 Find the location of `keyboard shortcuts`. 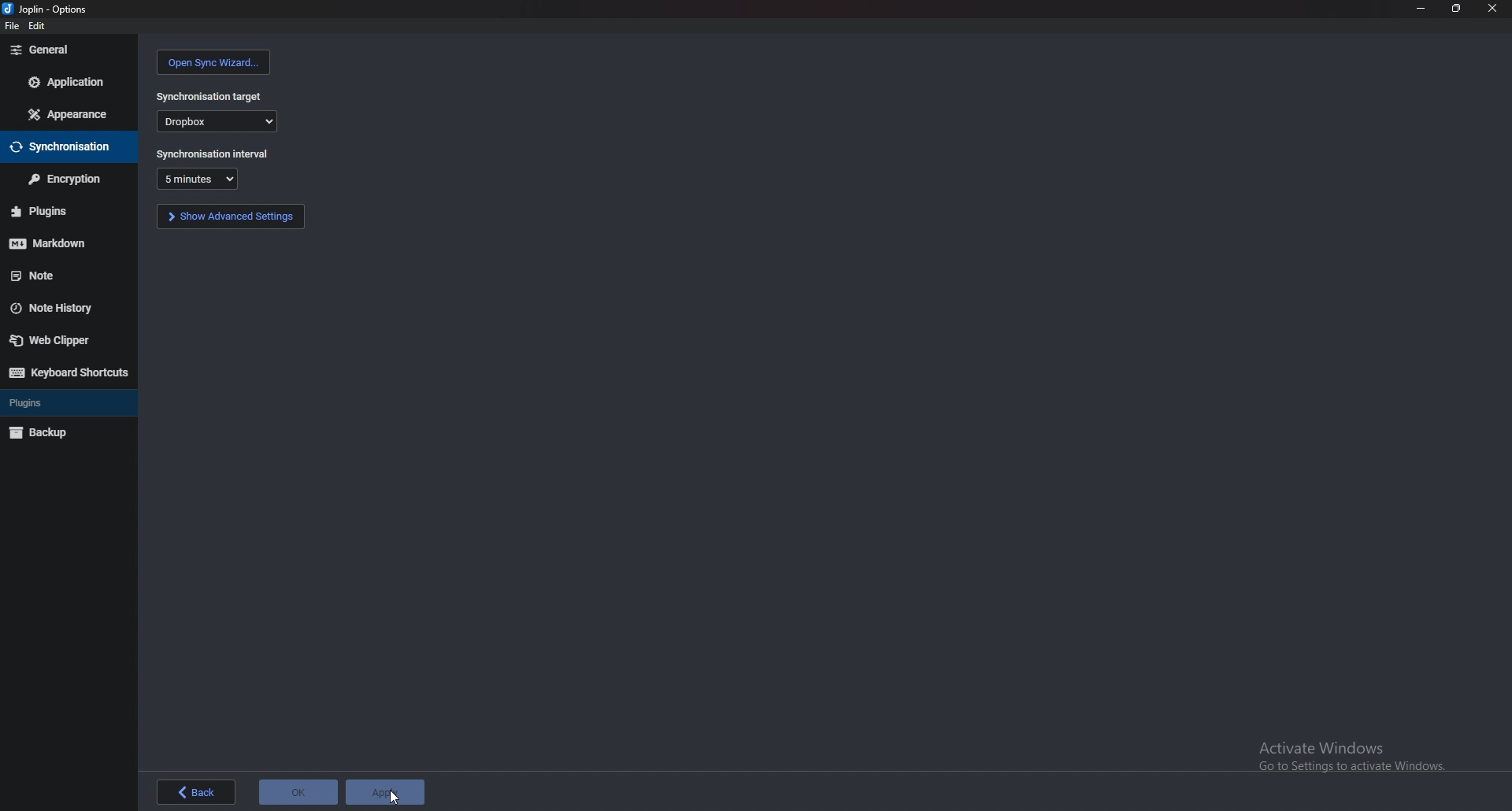

keyboard shortcuts is located at coordinates (69, 372).